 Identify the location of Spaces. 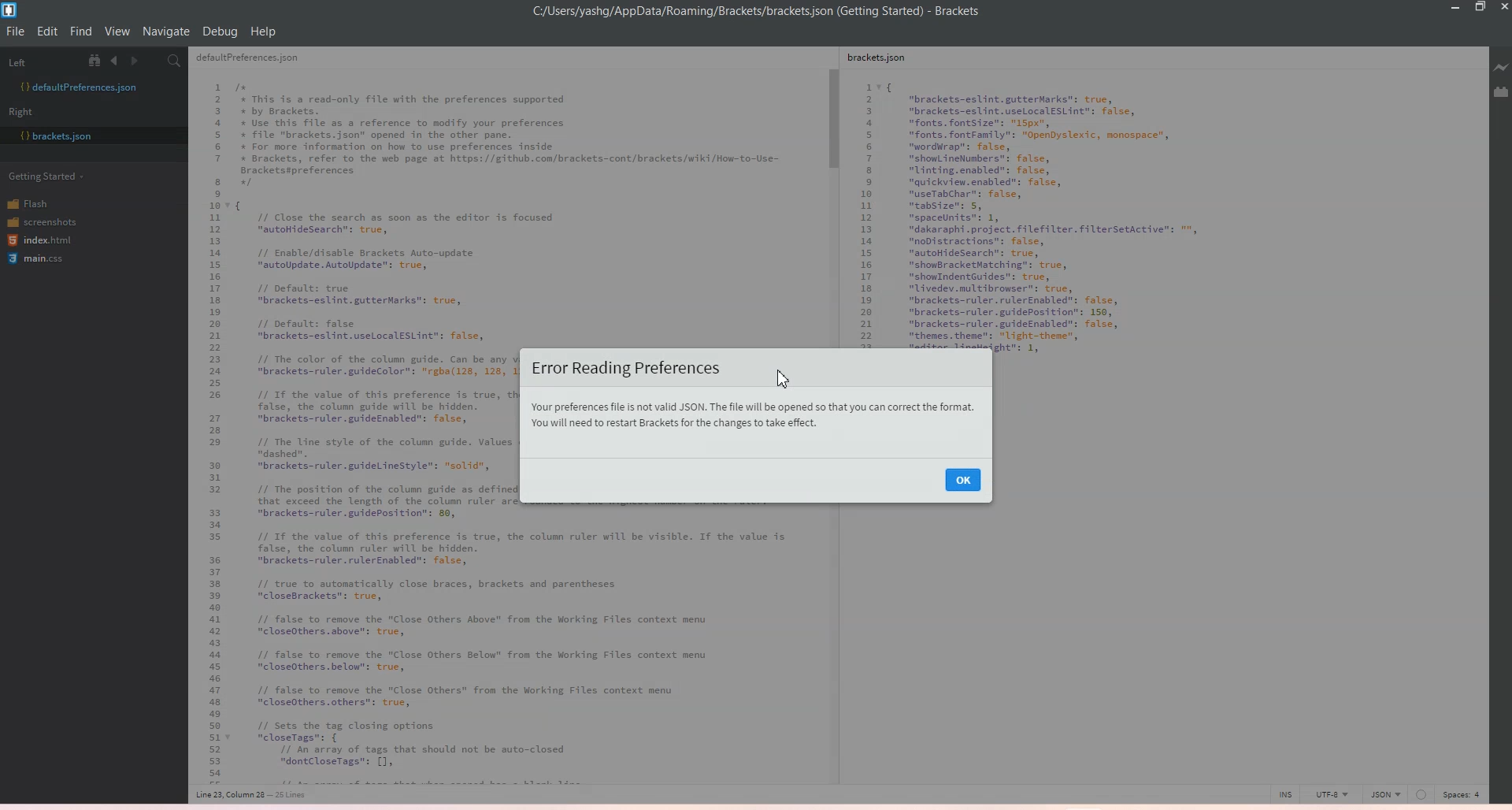
(1465, 793).